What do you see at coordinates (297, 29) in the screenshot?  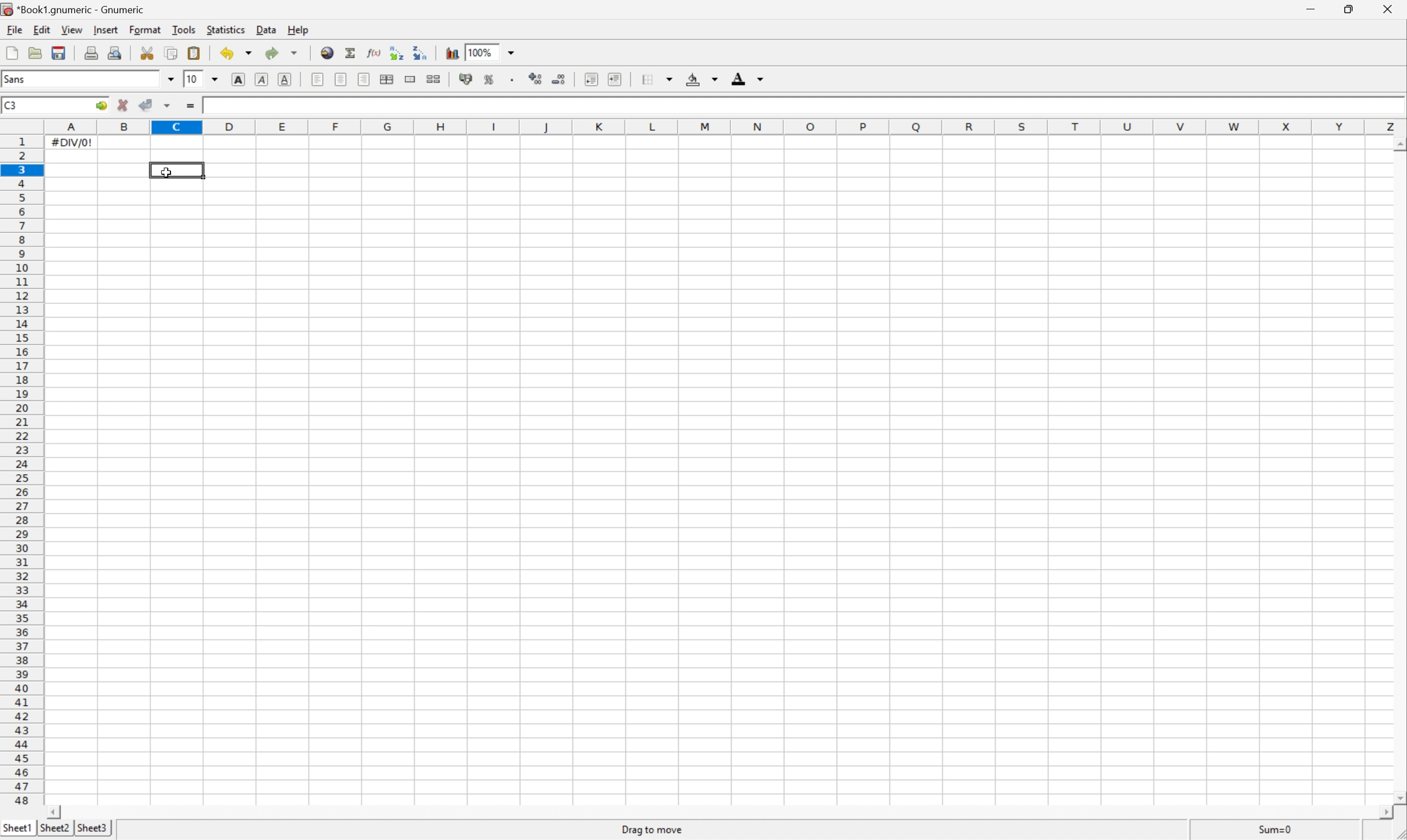 I see `Help` at bounding box center [297, 29].